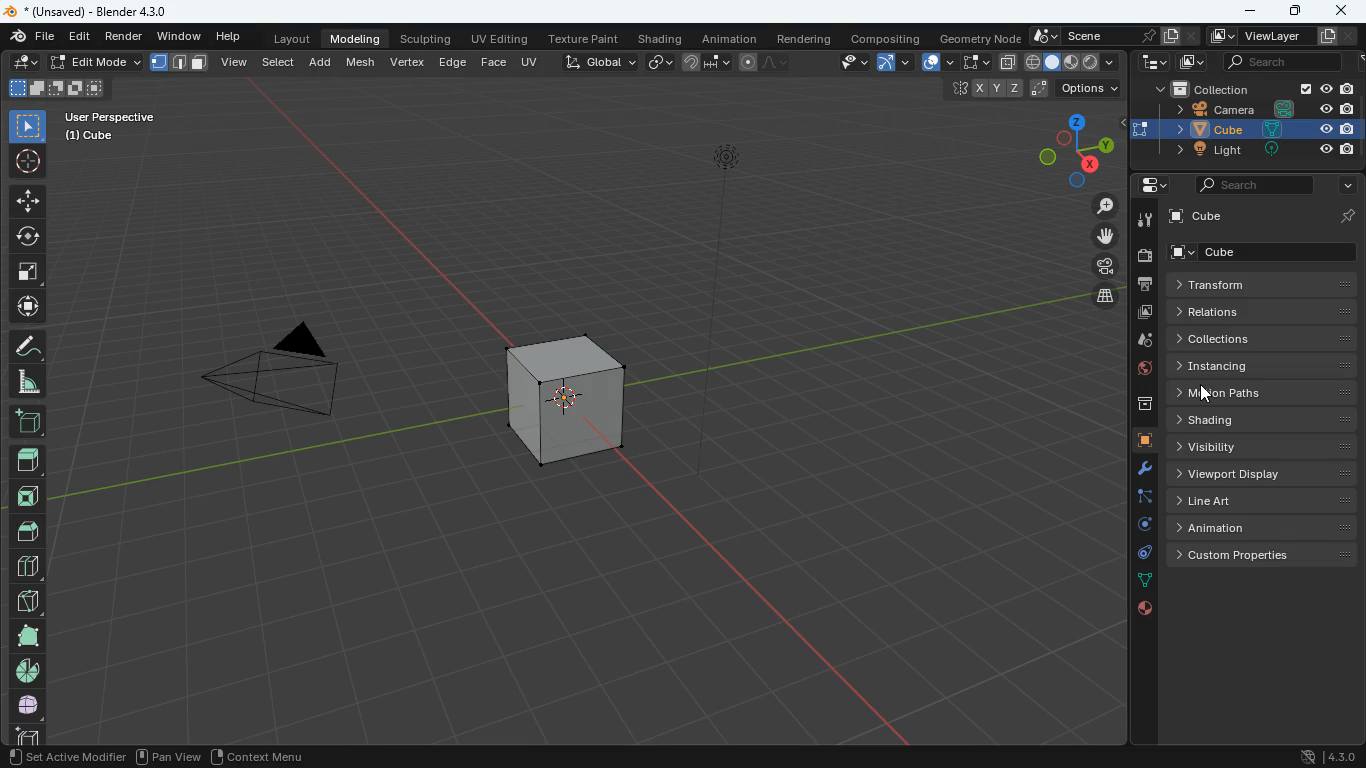 The width and height of the screenshot is (1366, 768). What do you see at coordinates (937, 63) in the screenshot?
I see `overlap` at bounding box center [937, 63].